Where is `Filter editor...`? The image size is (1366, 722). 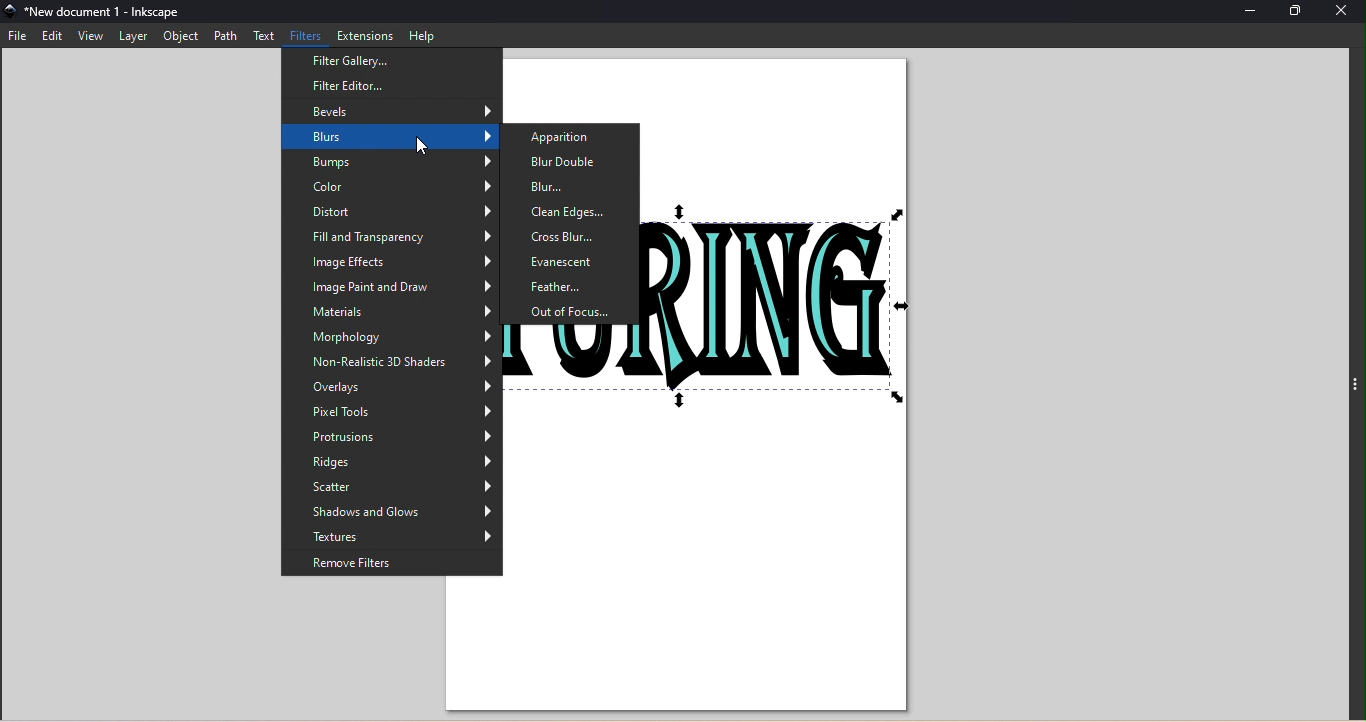 Filter editor... is located at coordinates (385, 85).